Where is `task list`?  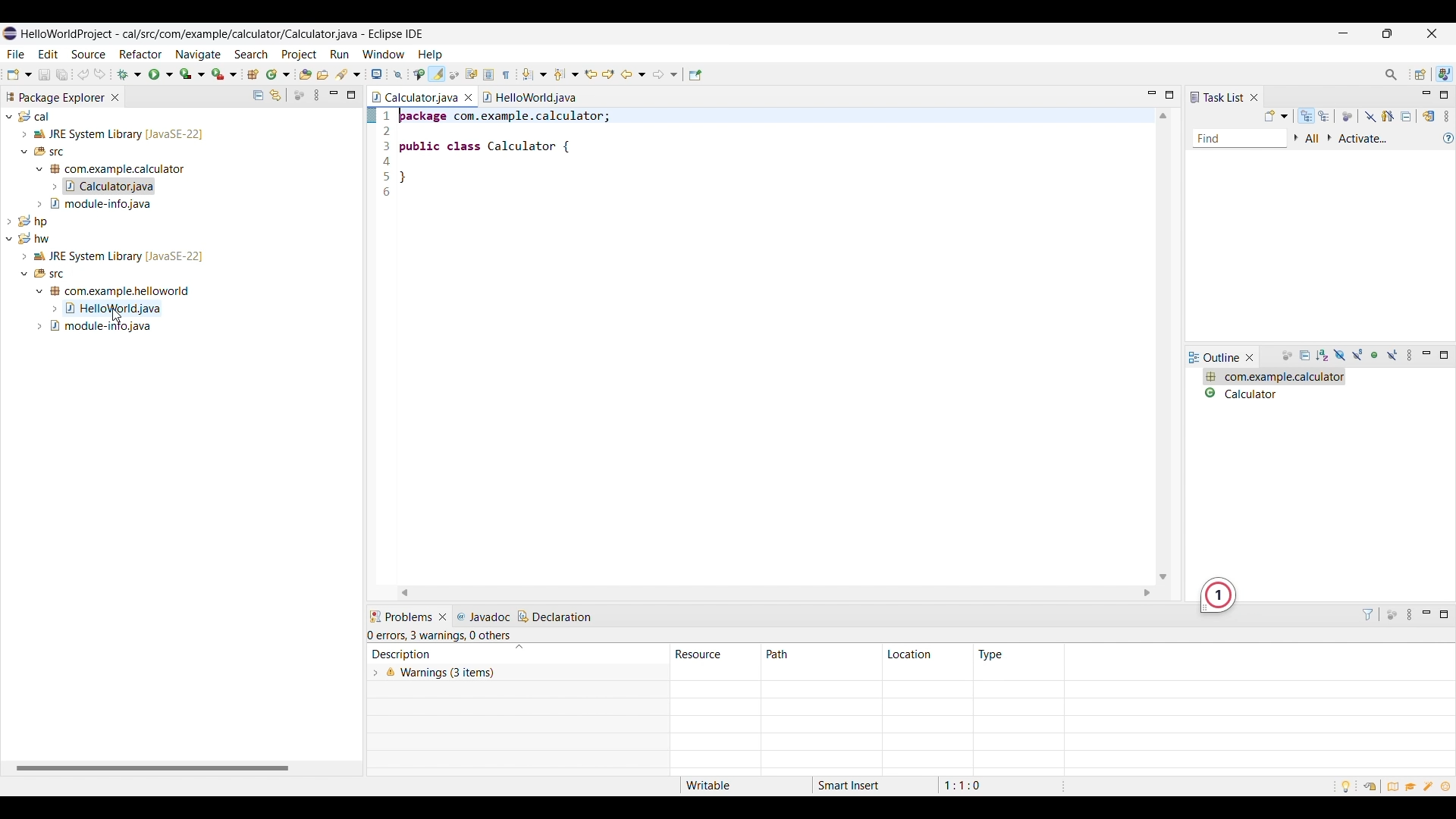
task list is located at coordinates (1217, 97).